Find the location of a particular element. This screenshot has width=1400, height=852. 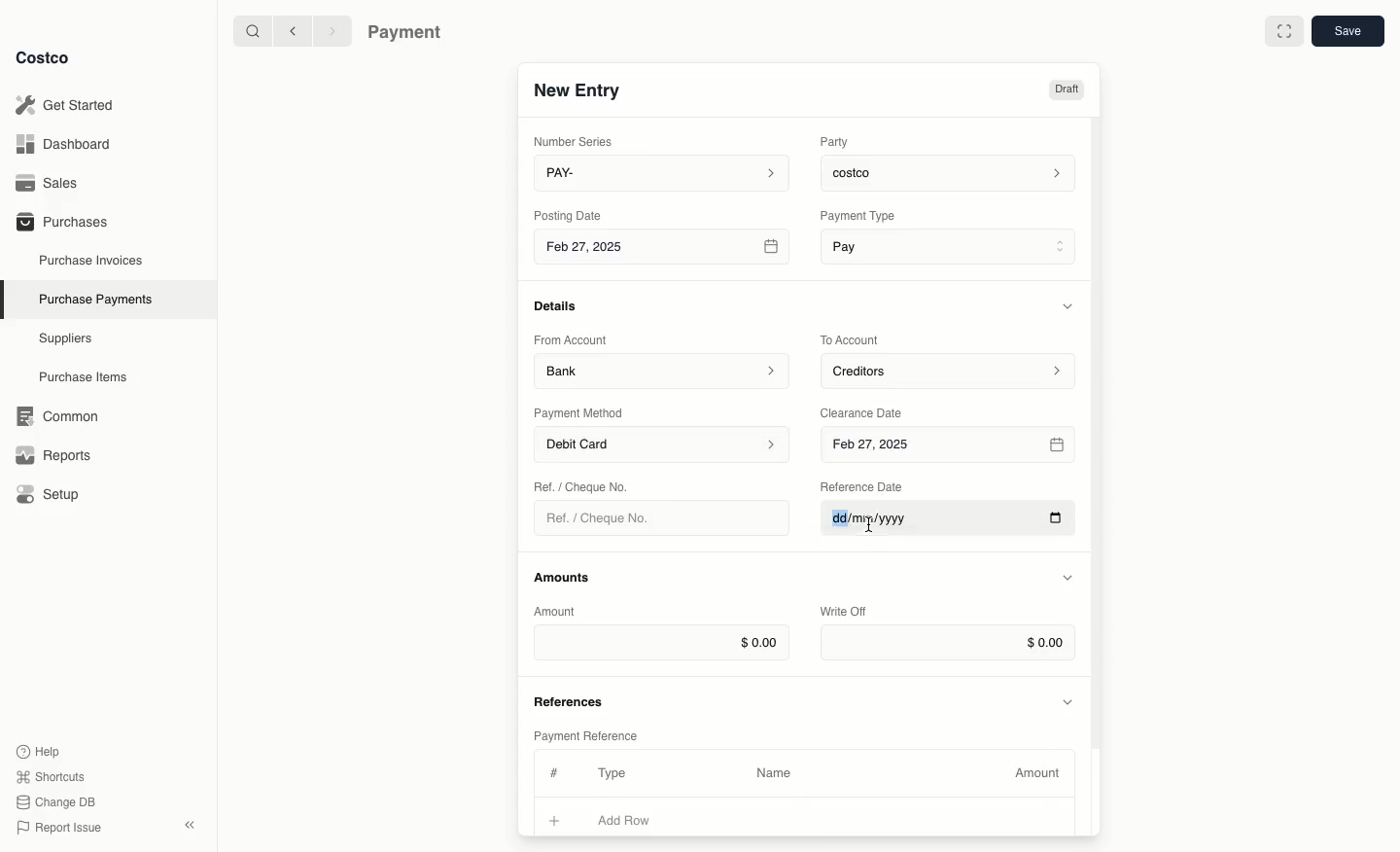

‘Payment Type is located at coordinates (857, 215).